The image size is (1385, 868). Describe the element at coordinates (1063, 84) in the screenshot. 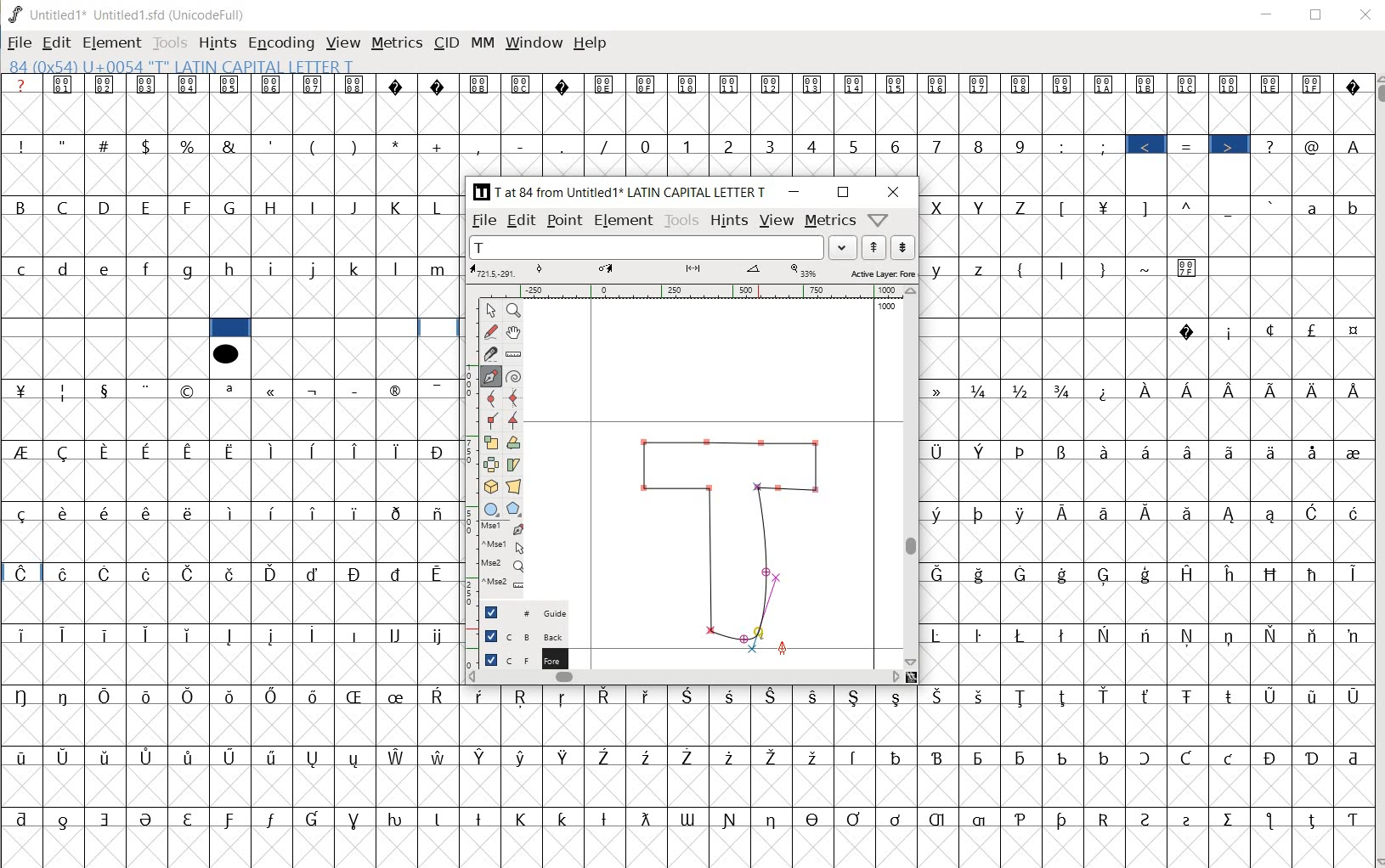

I see `Symbol` at that location.